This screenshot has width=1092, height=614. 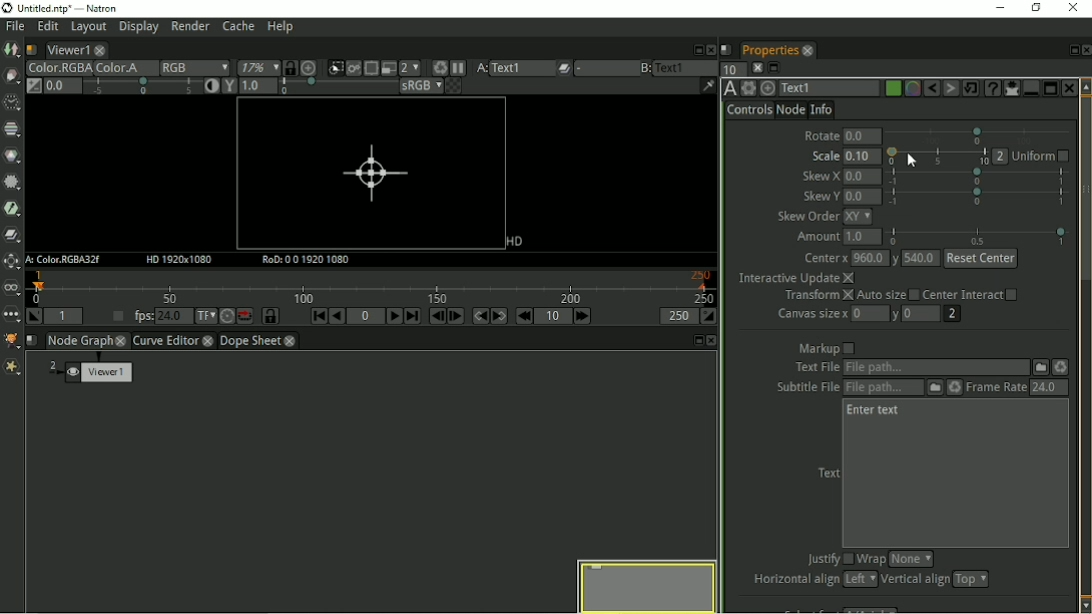 What do you see at coordinates (12, 50) in the screenshot?
I see `Image ` at bounding box center [12, 50].